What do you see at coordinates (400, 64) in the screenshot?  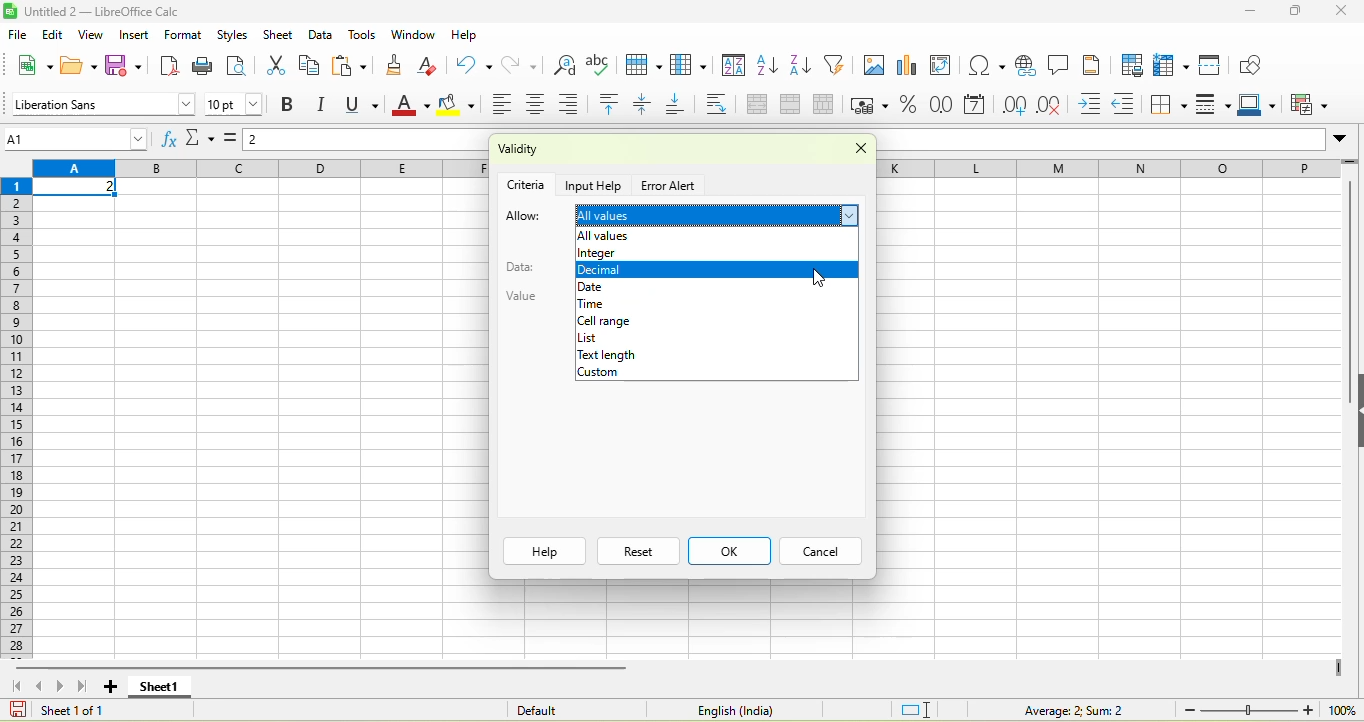 I see `clone formatting` at bounding box center [400, 64].